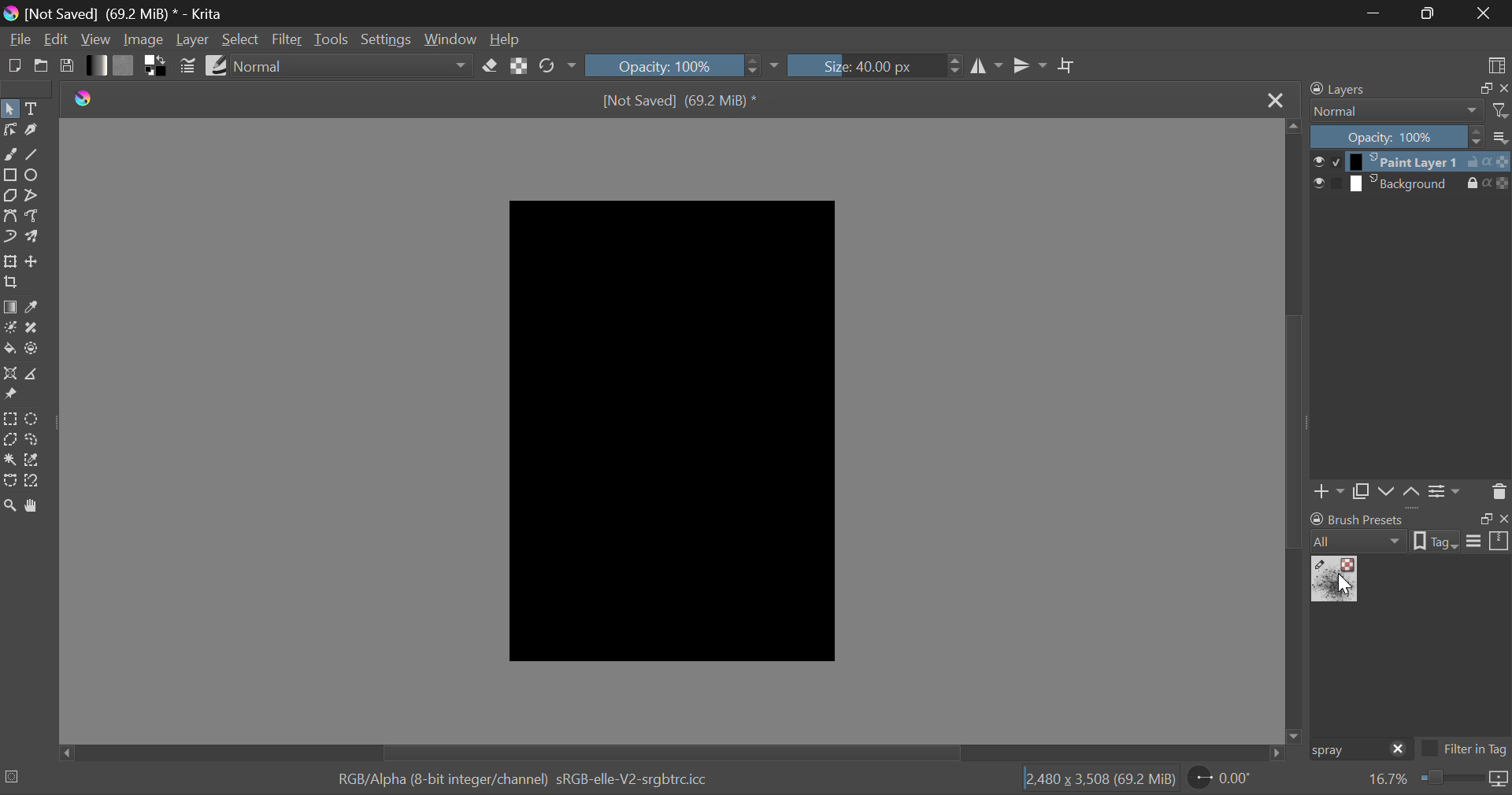 This screenshot has height=795, width=1512. What do you see at coordinates (30, 375) in the screenshot?
I see `Measurements` at bounding box center [30, 375].